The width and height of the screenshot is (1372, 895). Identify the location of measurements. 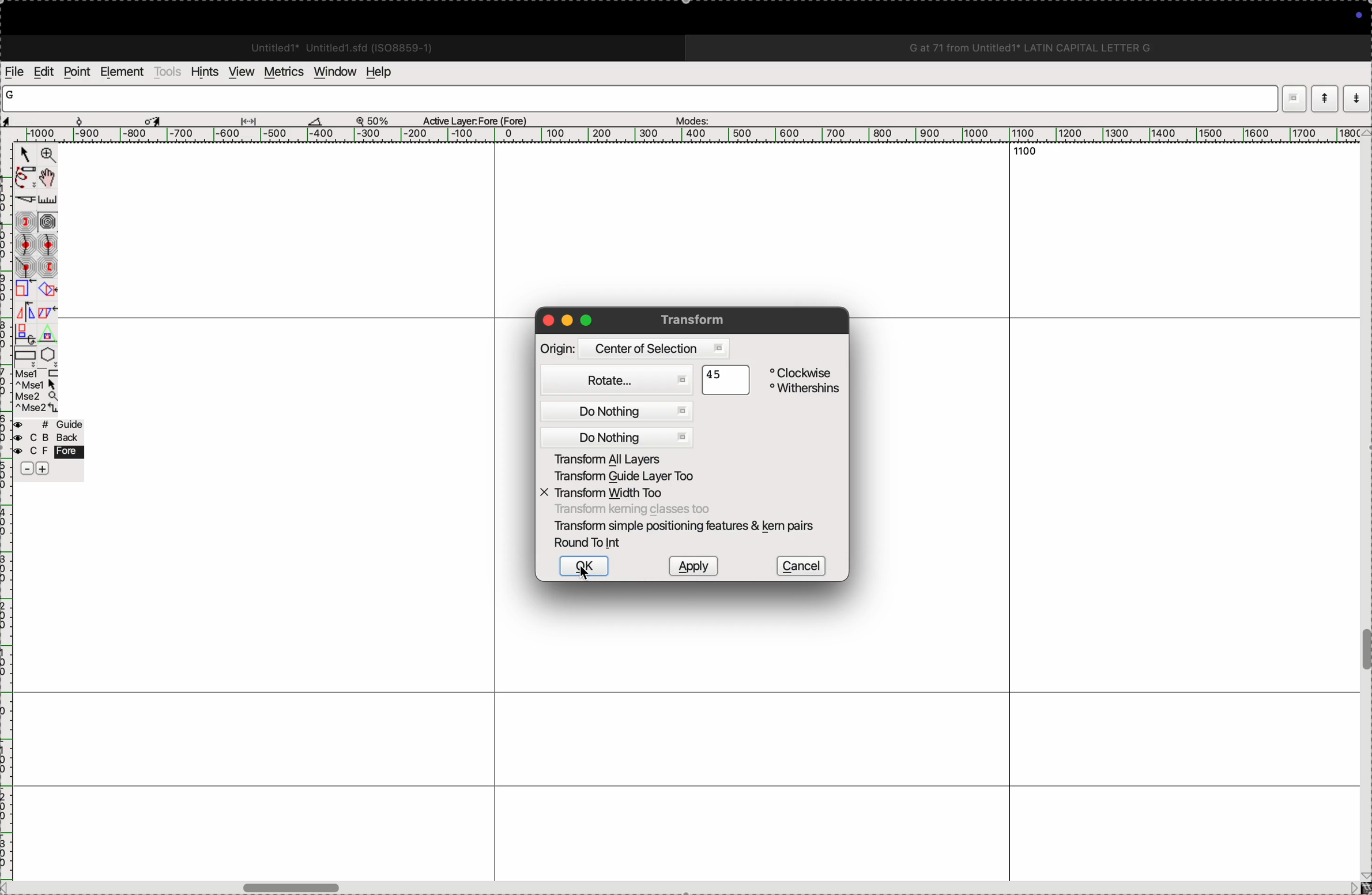
(236, 119).